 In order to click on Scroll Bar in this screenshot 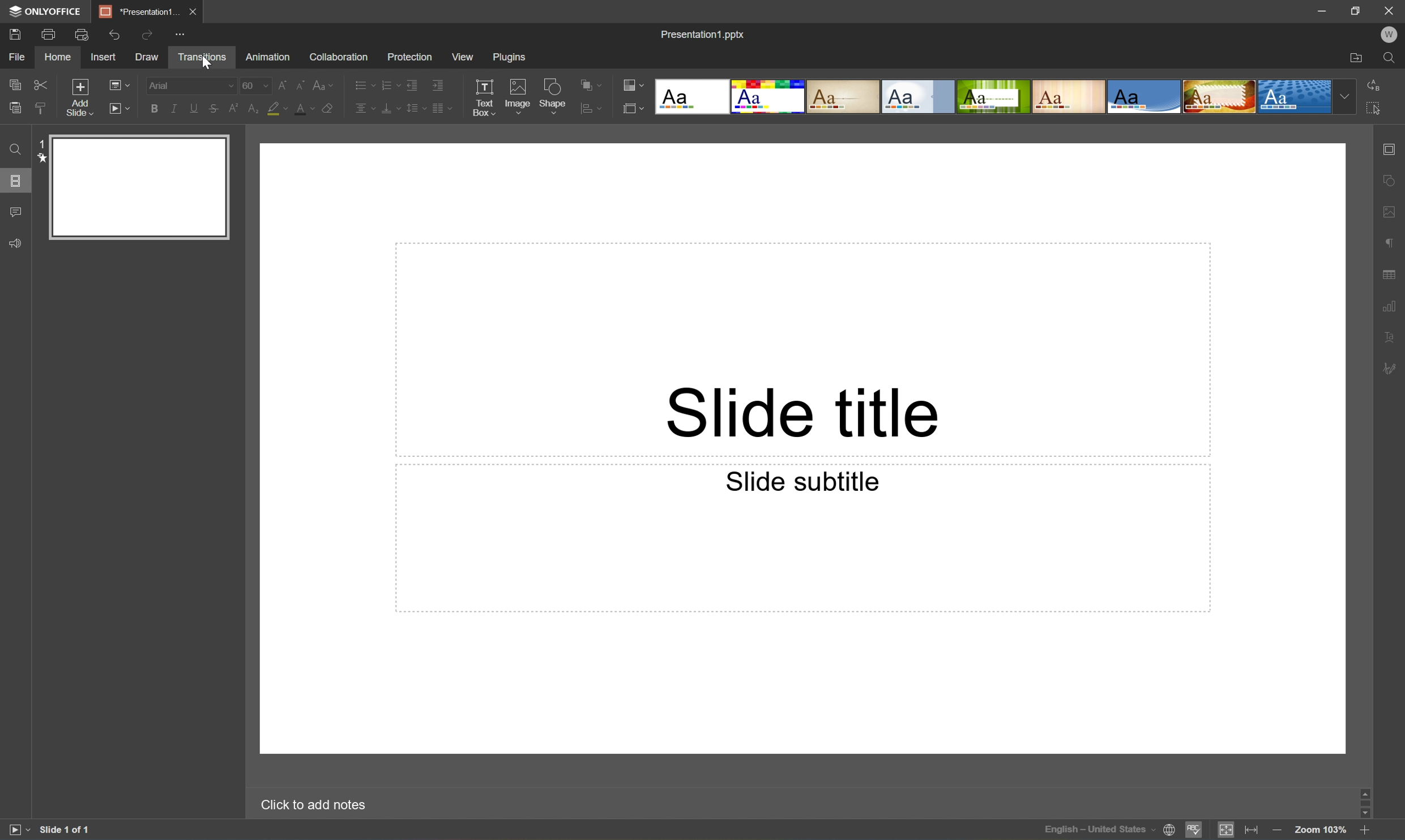, I will do `click(1362, 802)`.